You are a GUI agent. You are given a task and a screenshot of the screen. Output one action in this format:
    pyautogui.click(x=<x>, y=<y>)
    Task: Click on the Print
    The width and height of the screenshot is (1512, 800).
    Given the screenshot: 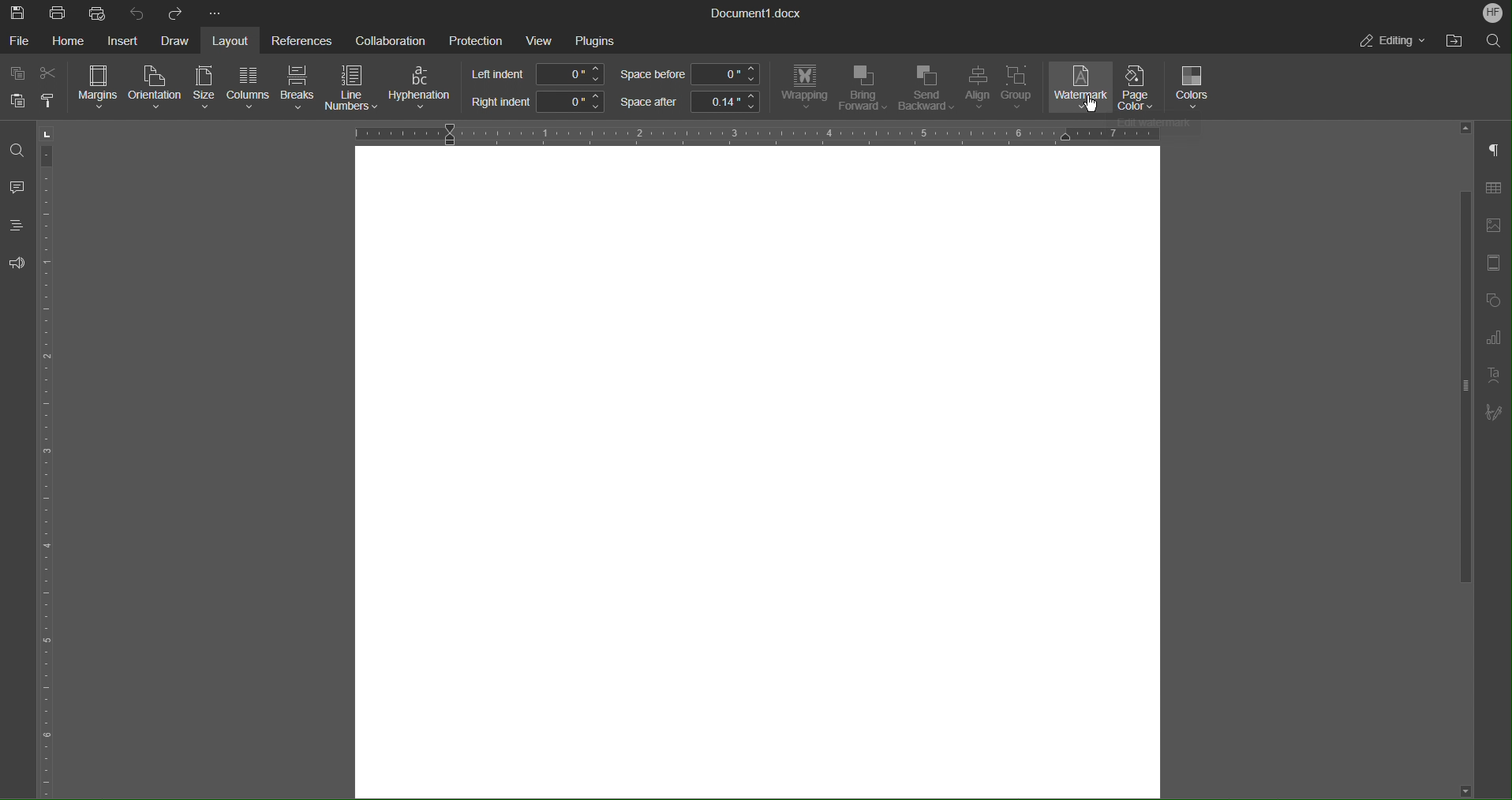 What is the action you would take?
    pyautogui.click(x=59, y=13)
    